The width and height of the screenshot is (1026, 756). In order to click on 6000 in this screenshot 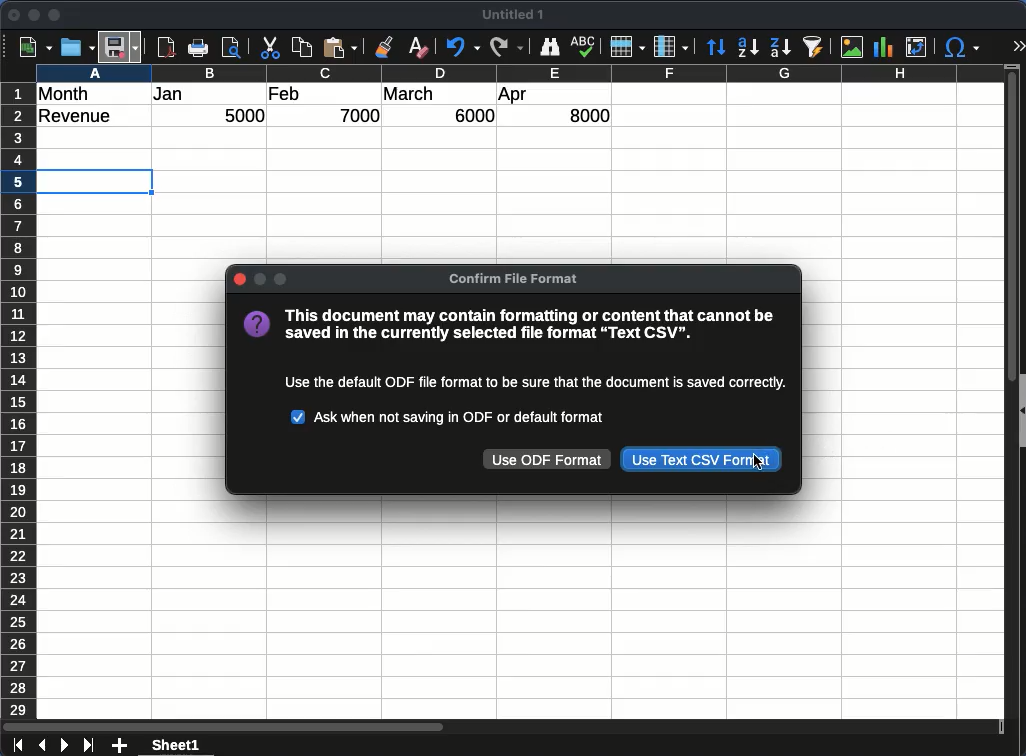, I will do `click(469, 116)`.